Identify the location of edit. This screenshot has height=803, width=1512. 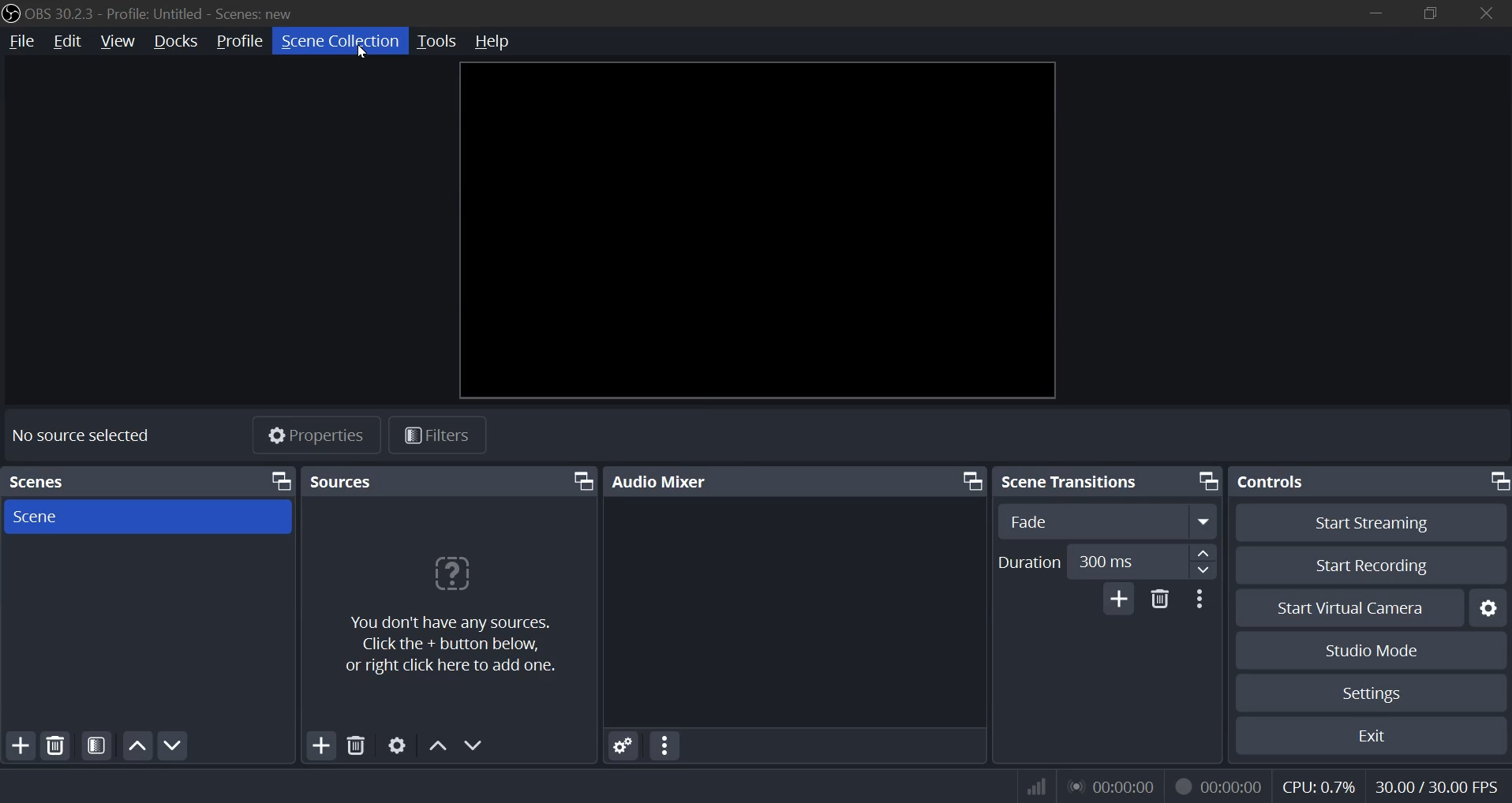
(67, 42).